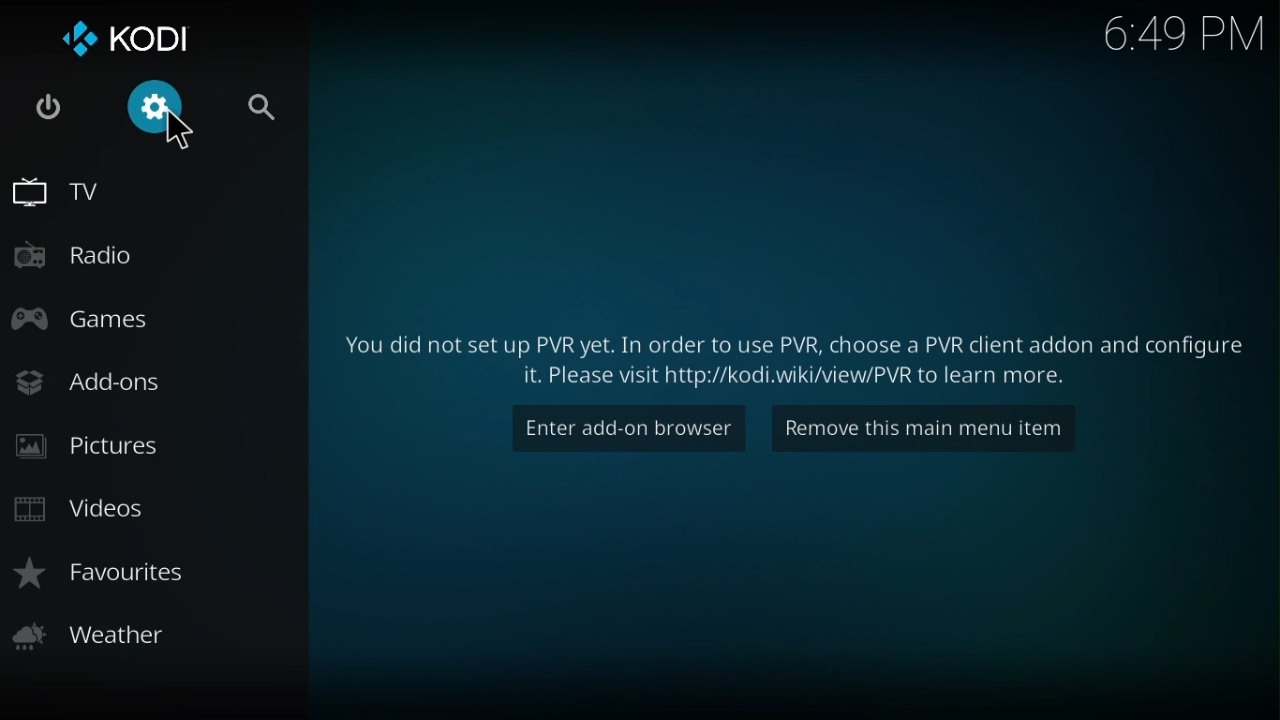  Describe the element at coordinates (55, 198) in the screenshot. I see `TV` at that location.